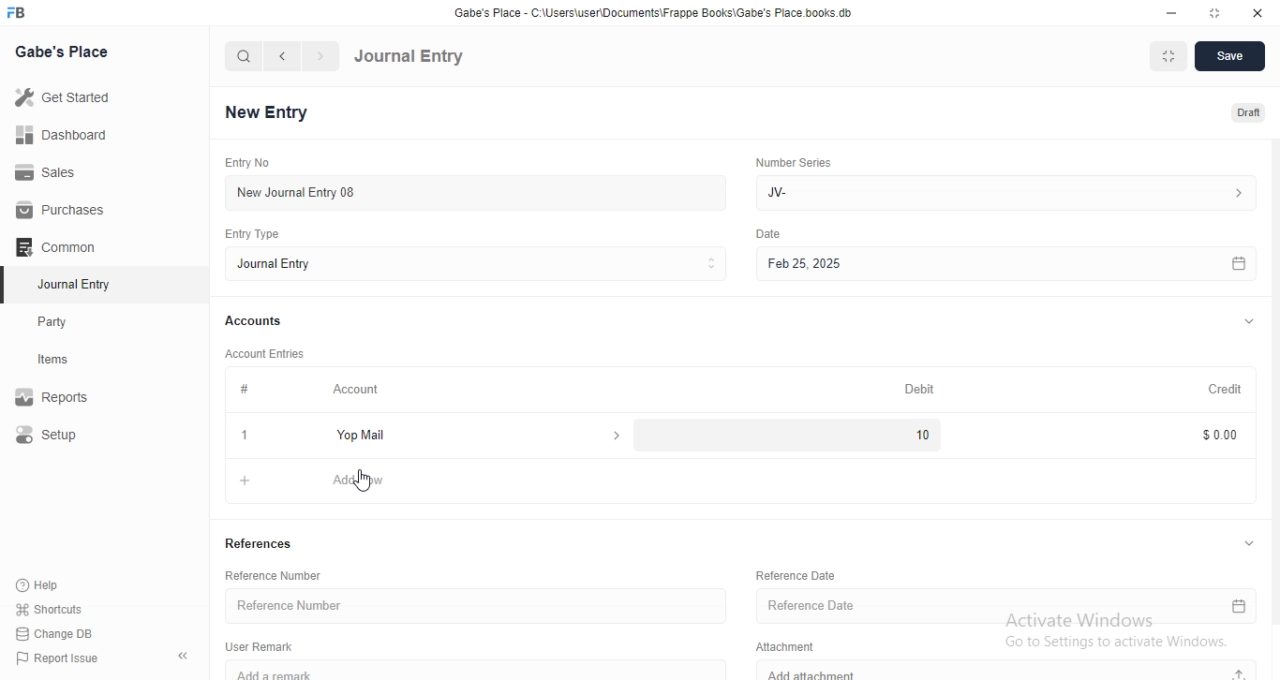 The height and width of the screenshot is (680, 1280). I want to click on 10, so click(911, 435).